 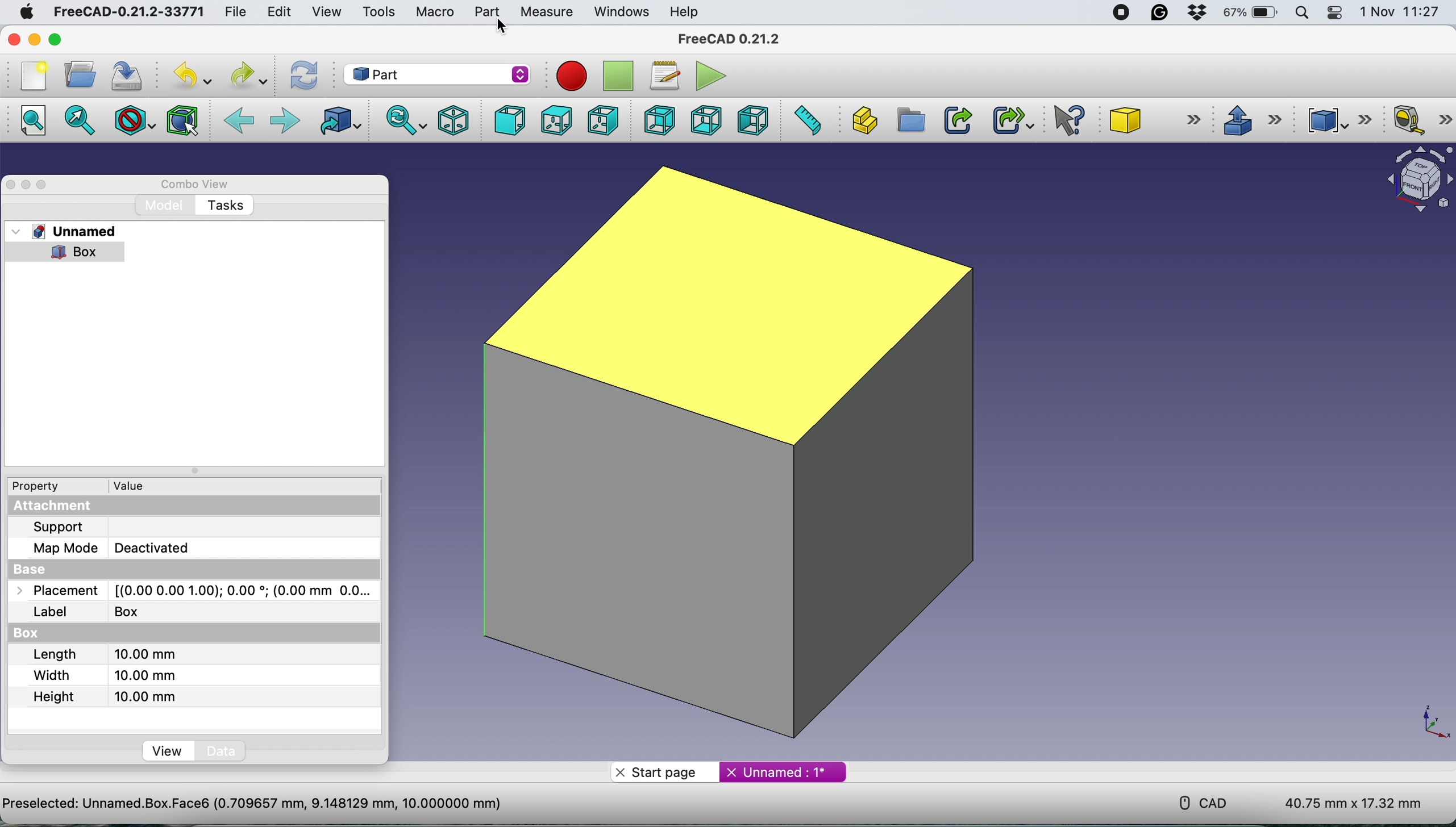 I want to click on height, so click(x=101, y=696).